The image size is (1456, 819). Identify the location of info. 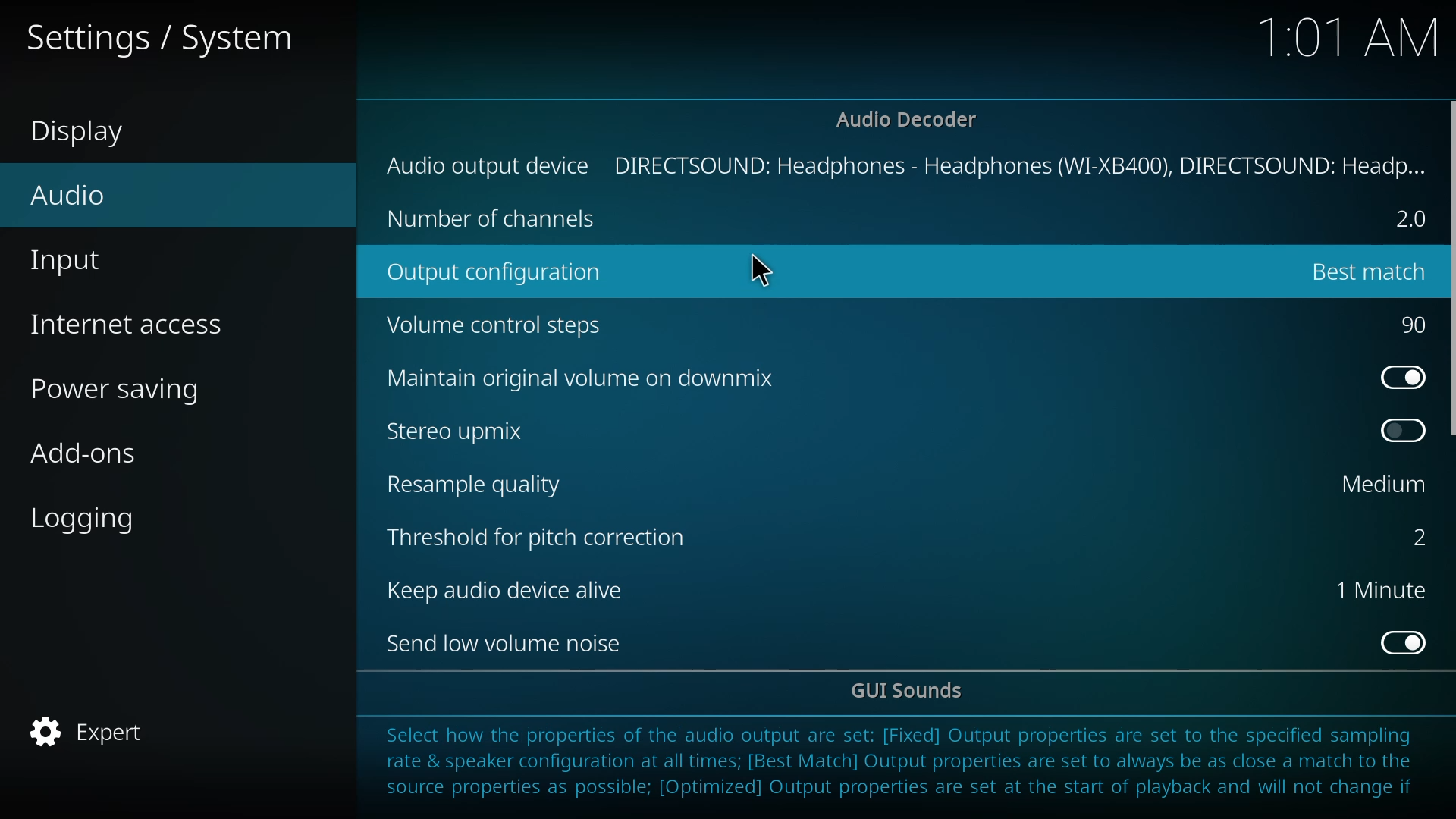
(904, 766).